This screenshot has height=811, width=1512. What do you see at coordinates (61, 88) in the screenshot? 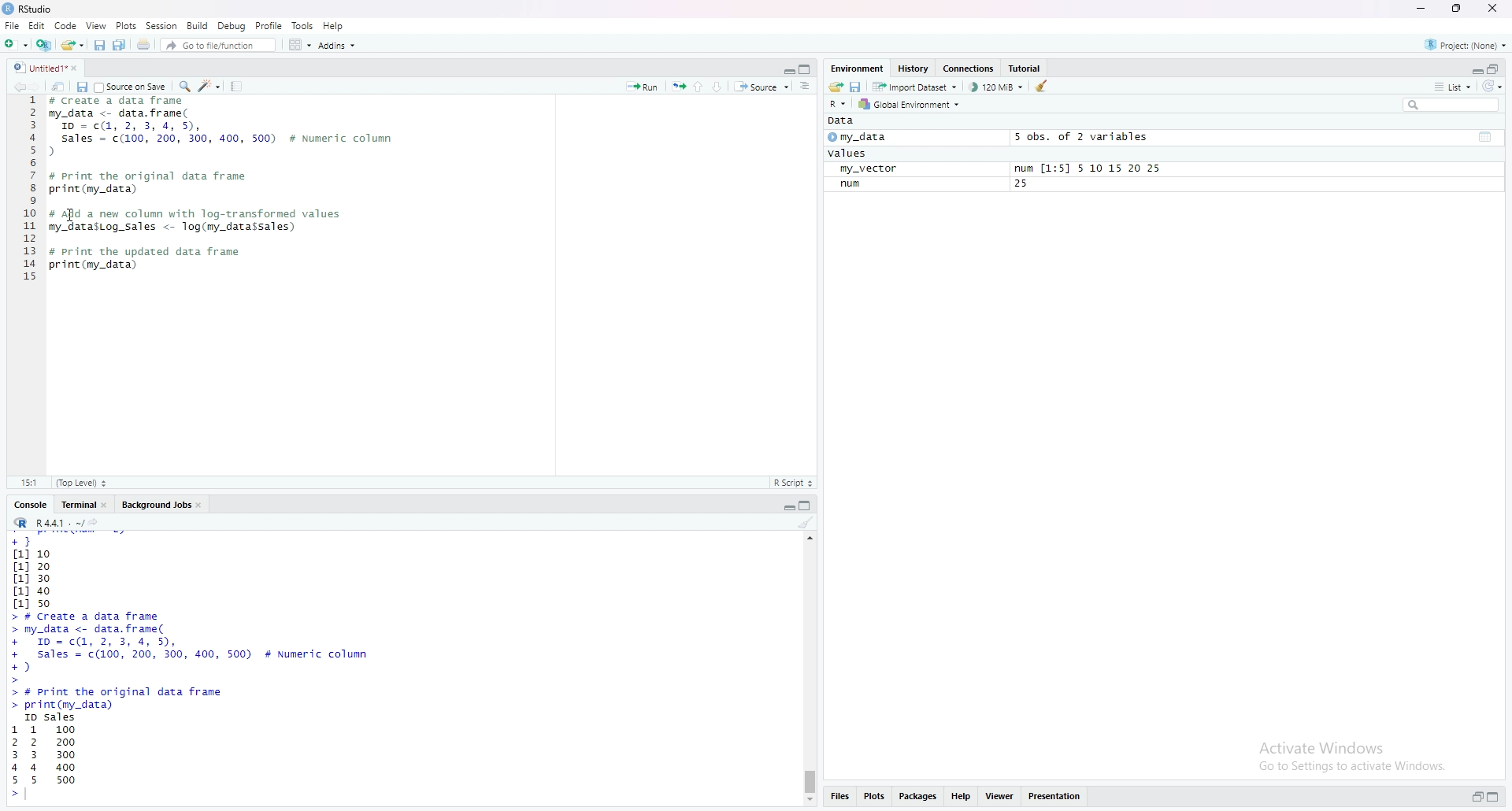
I see `show in new window` at bounding box center [61, 88].